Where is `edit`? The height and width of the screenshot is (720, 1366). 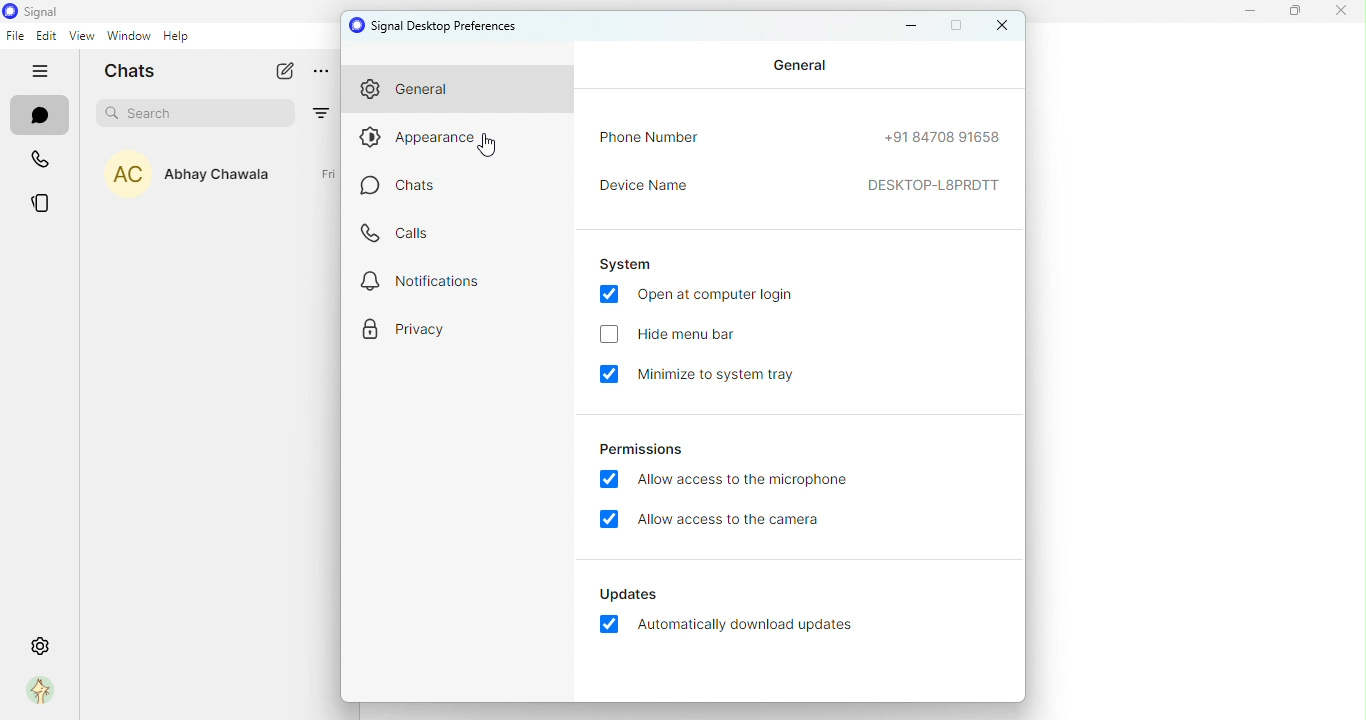 edit is located at coordinates (47, 37).